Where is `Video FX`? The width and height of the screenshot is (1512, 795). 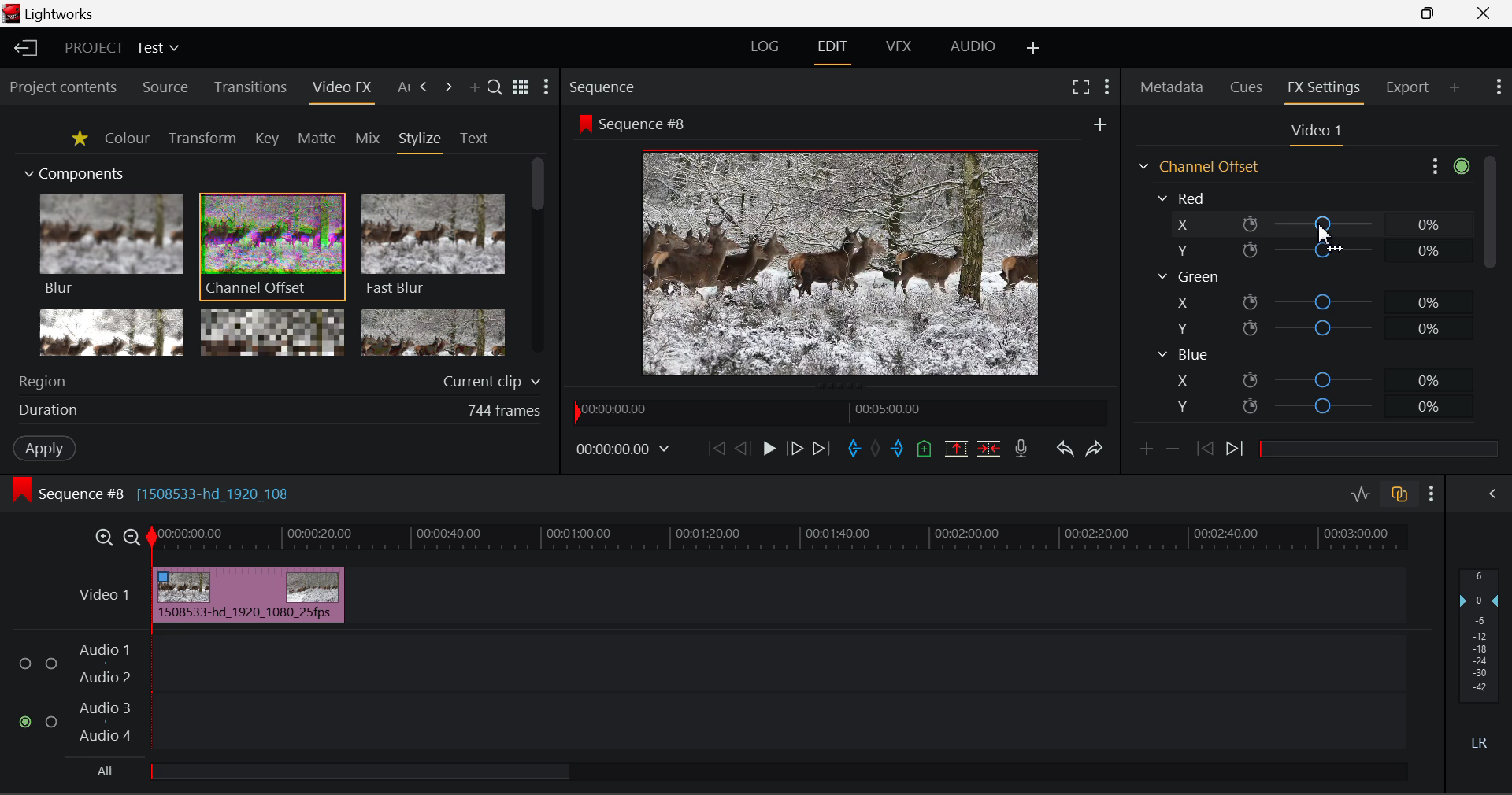 Video FX is located at coordinates (341, 91).